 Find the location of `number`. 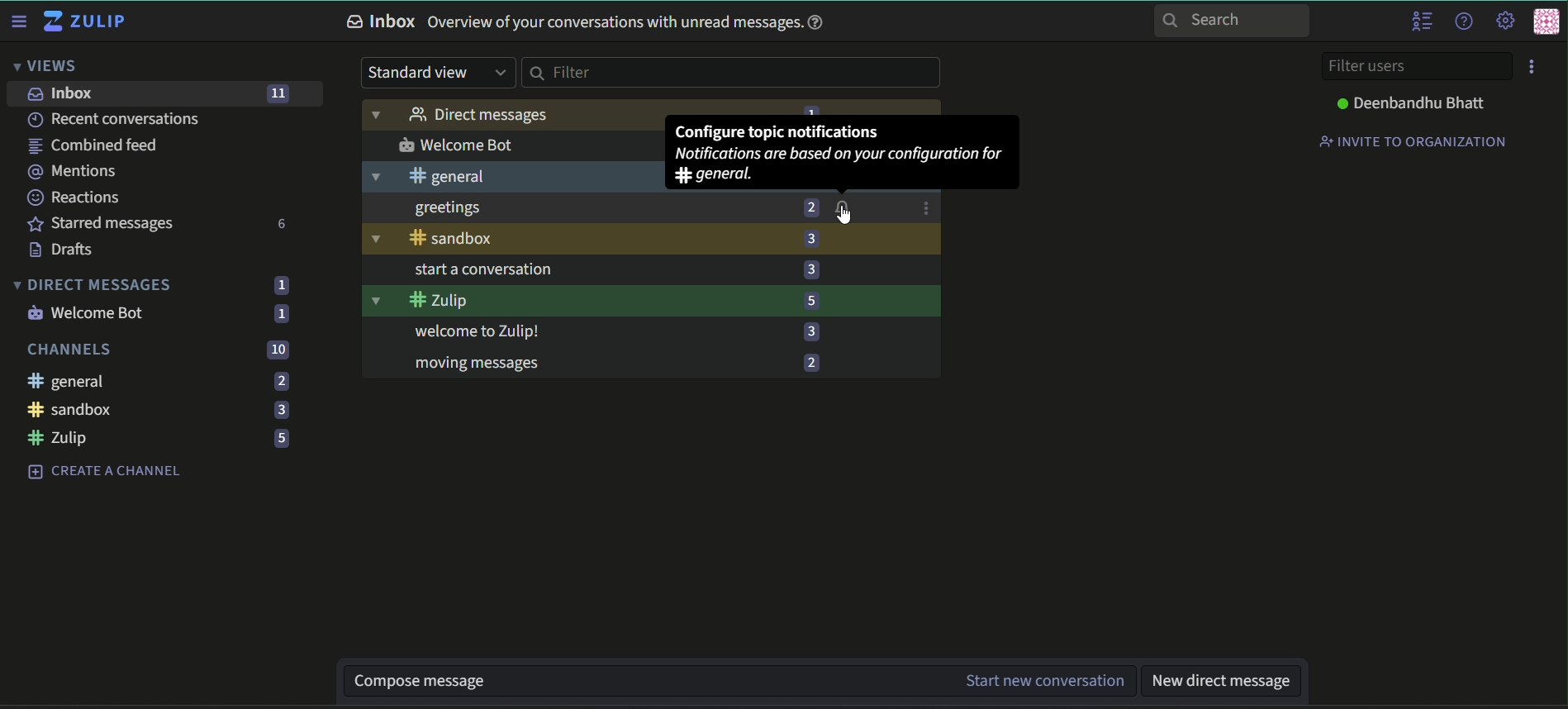

number is located at coordinates (807, 207).